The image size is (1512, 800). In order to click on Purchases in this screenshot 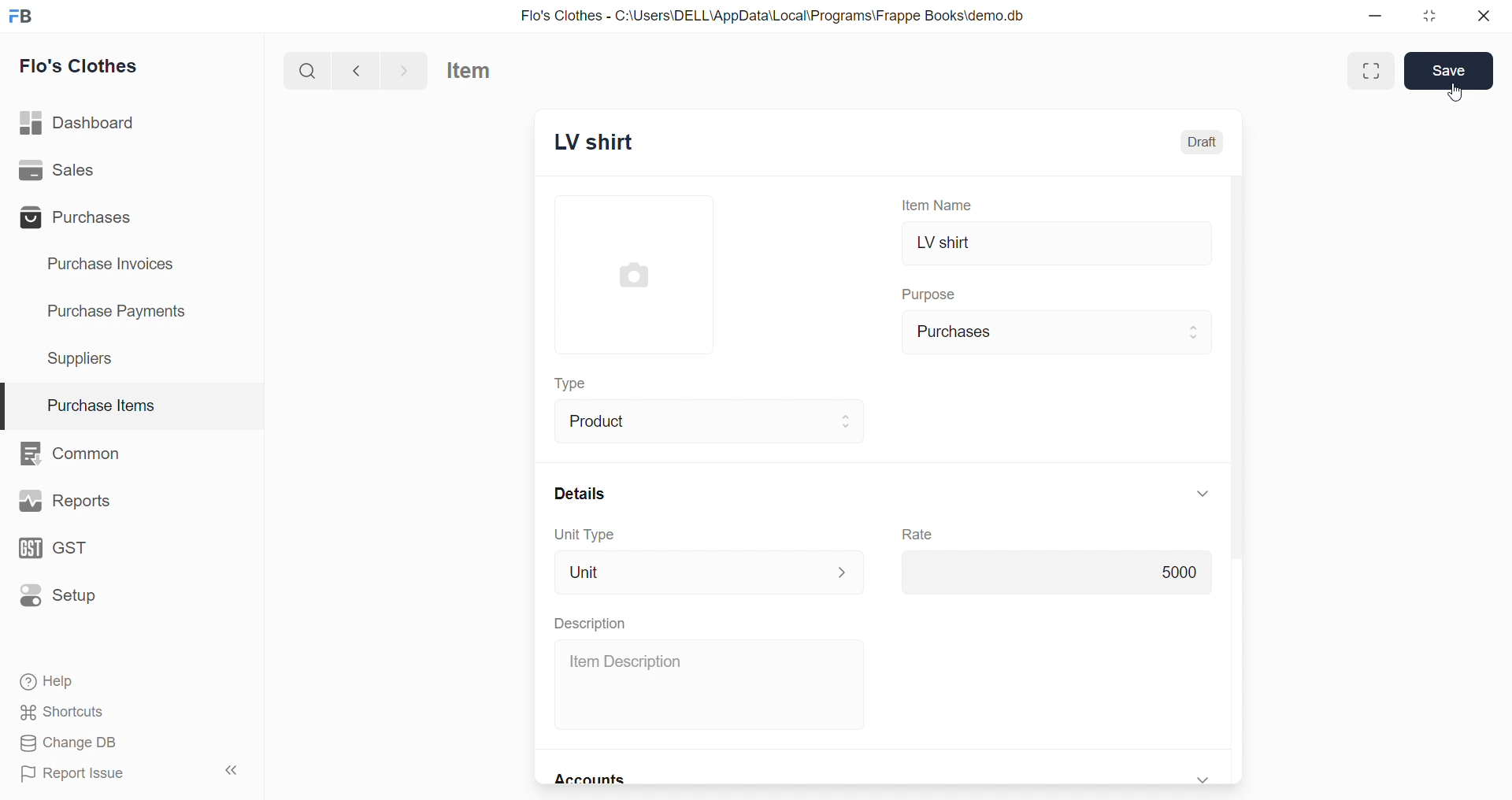, I will do `click(80, 217)`.